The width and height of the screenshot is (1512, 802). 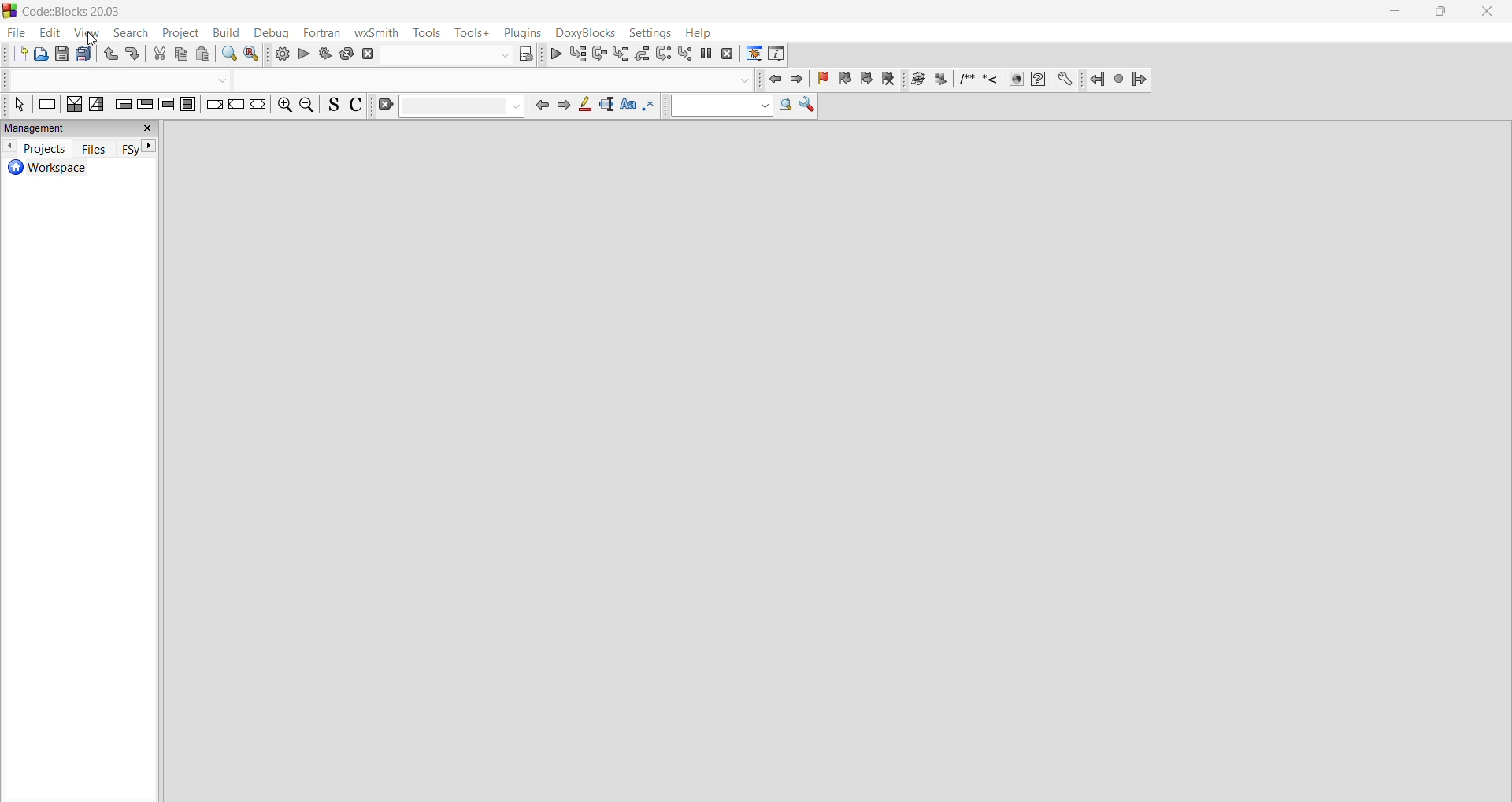 I want to click on break debugger, so click(x=707, y=54).